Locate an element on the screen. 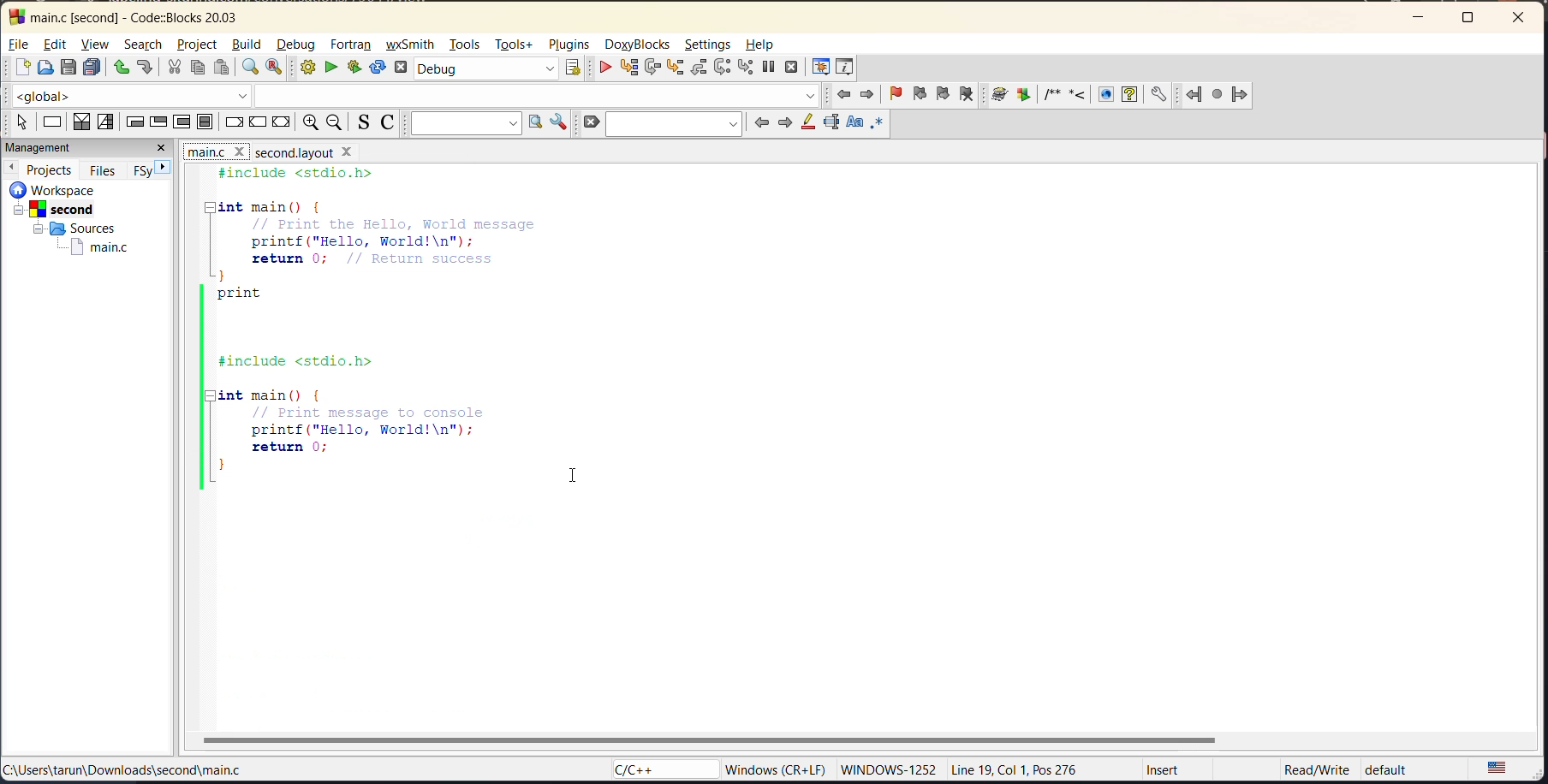 Image resolution: width=1548 pixels, height=784 pixels. settings is located at coordinates (709, 45).